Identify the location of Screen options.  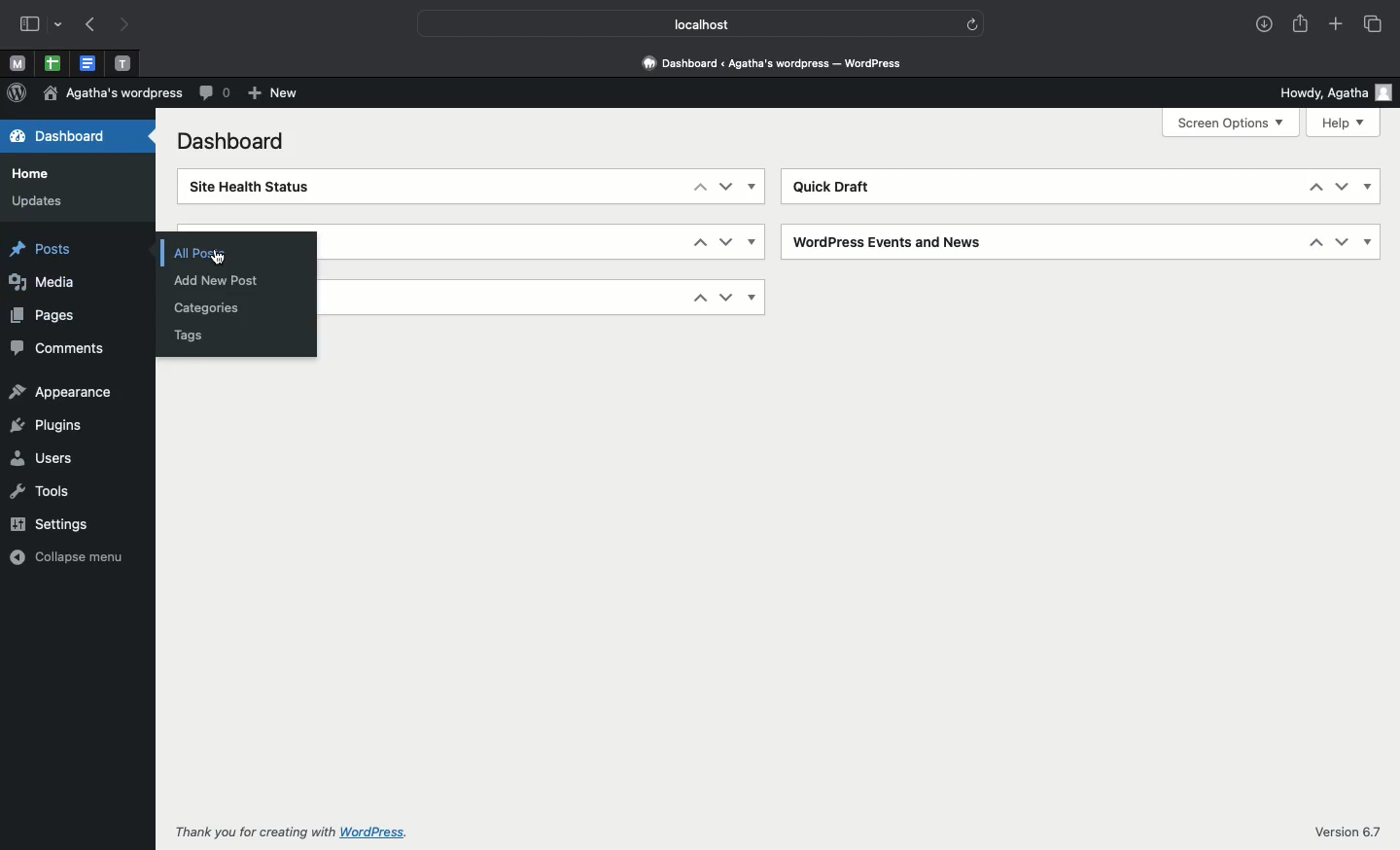
(1230, 123).